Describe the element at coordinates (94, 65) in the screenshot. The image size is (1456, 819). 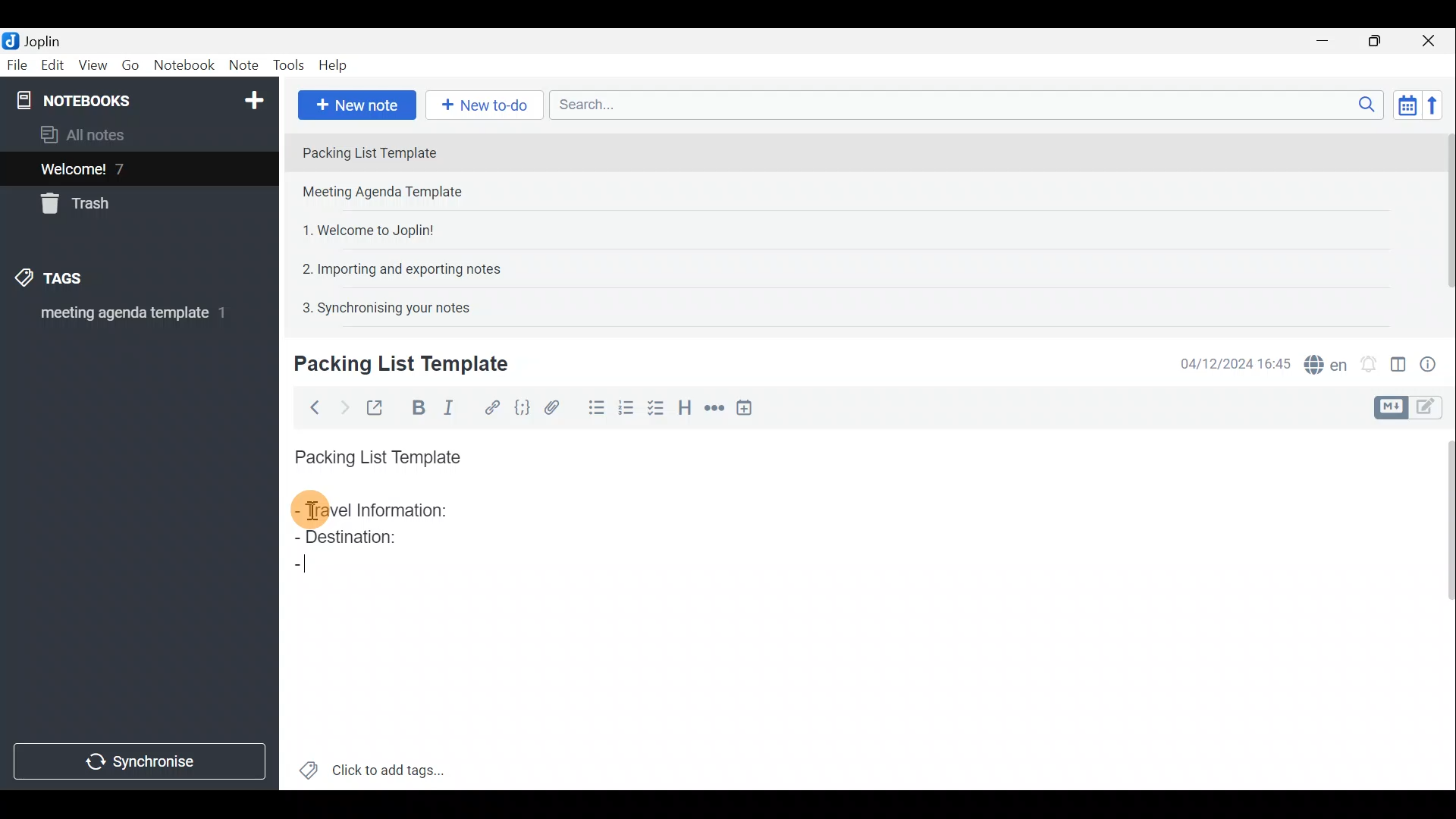
I see `View` at that location.